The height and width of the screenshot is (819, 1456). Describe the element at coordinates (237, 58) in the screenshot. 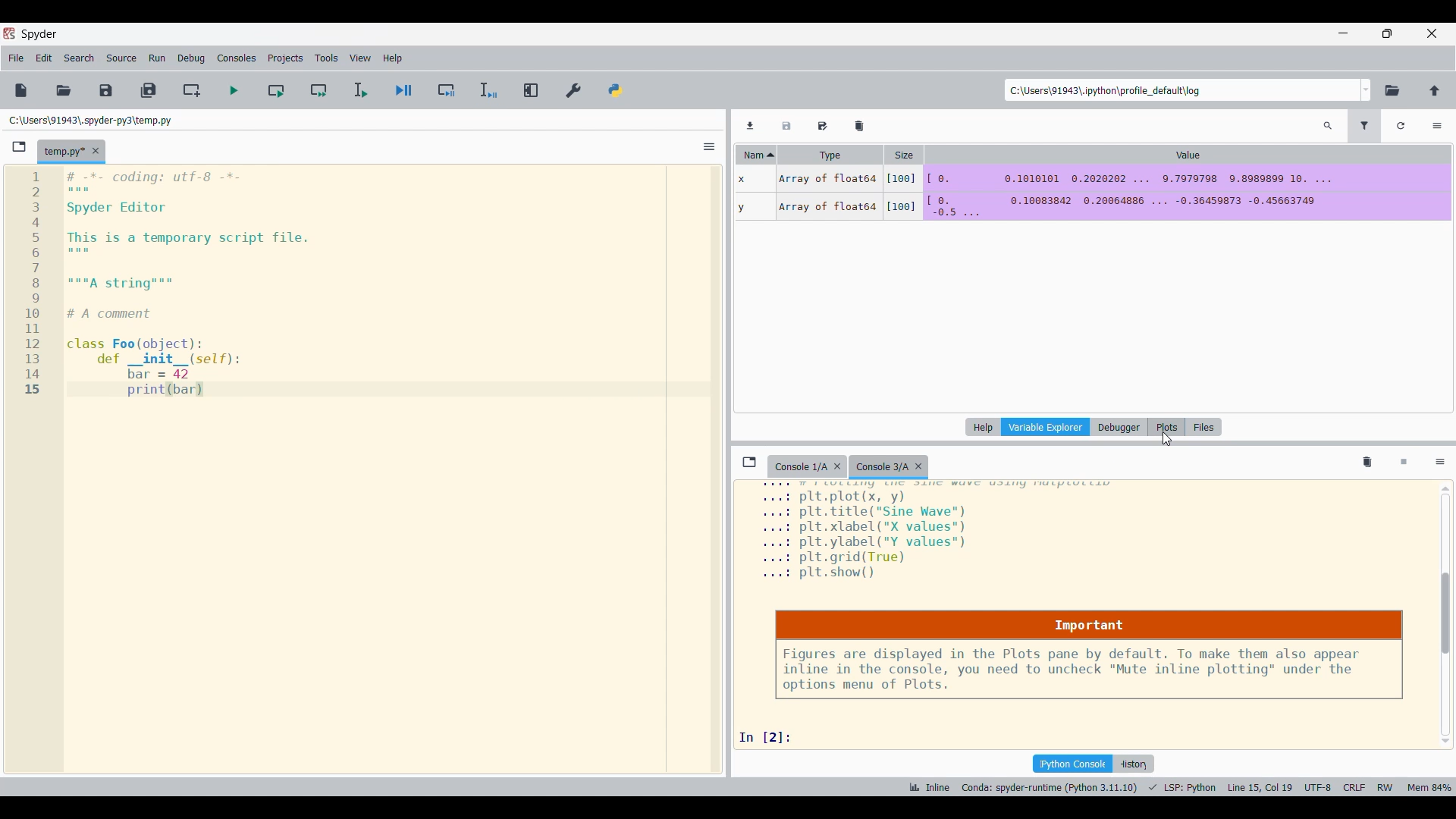

I see `Consoles menu` at that location.